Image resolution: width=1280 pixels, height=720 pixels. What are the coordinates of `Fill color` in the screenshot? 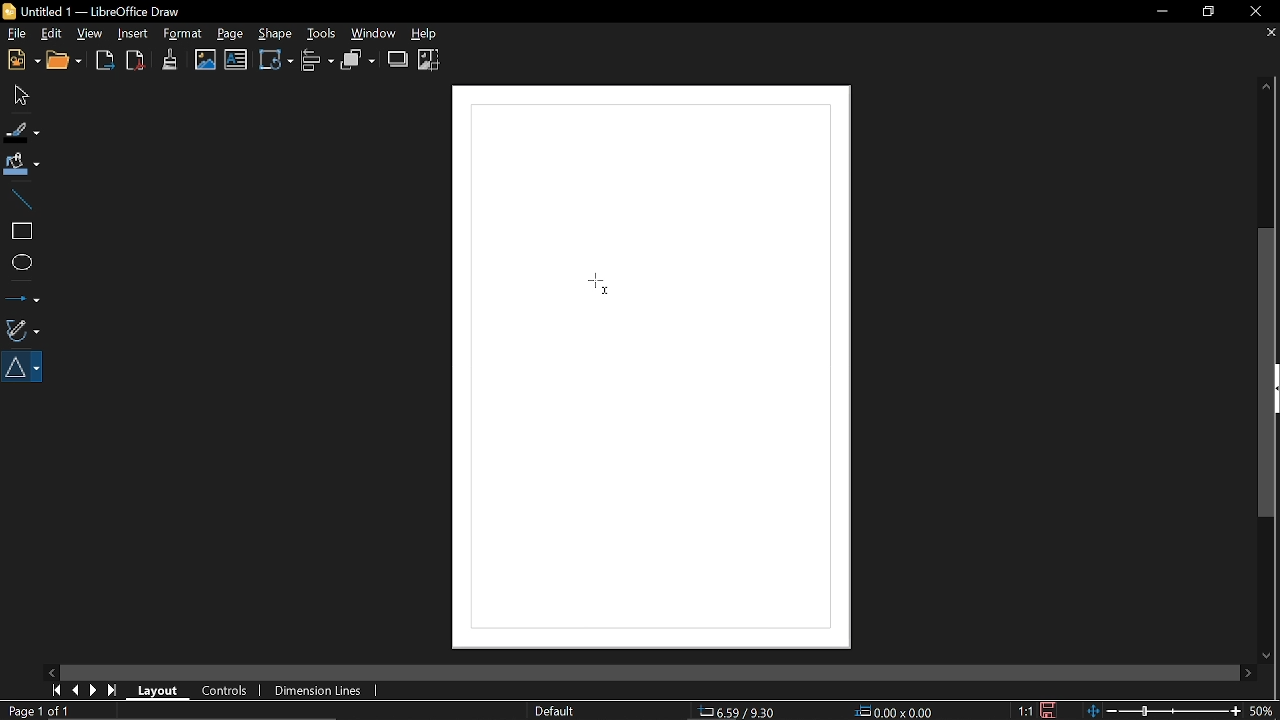 It's located at (22, 165).